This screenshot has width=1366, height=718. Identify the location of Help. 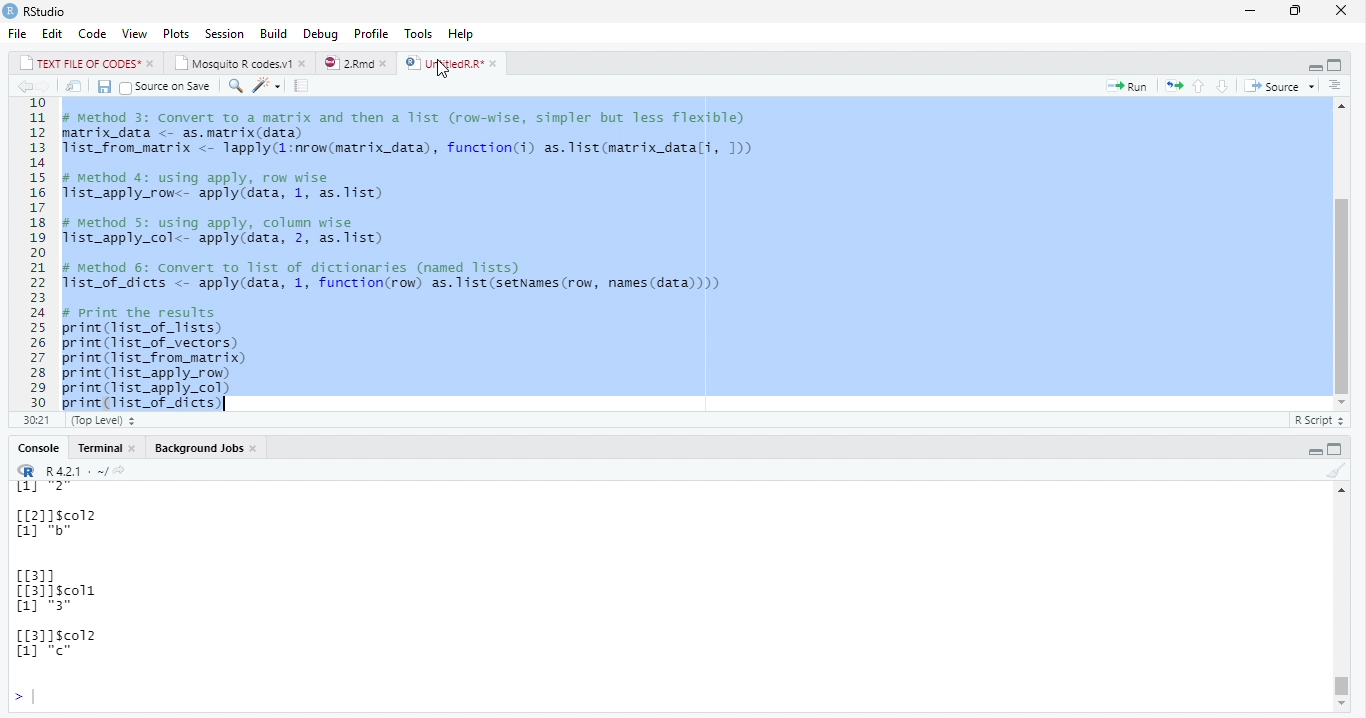
(465, 34).